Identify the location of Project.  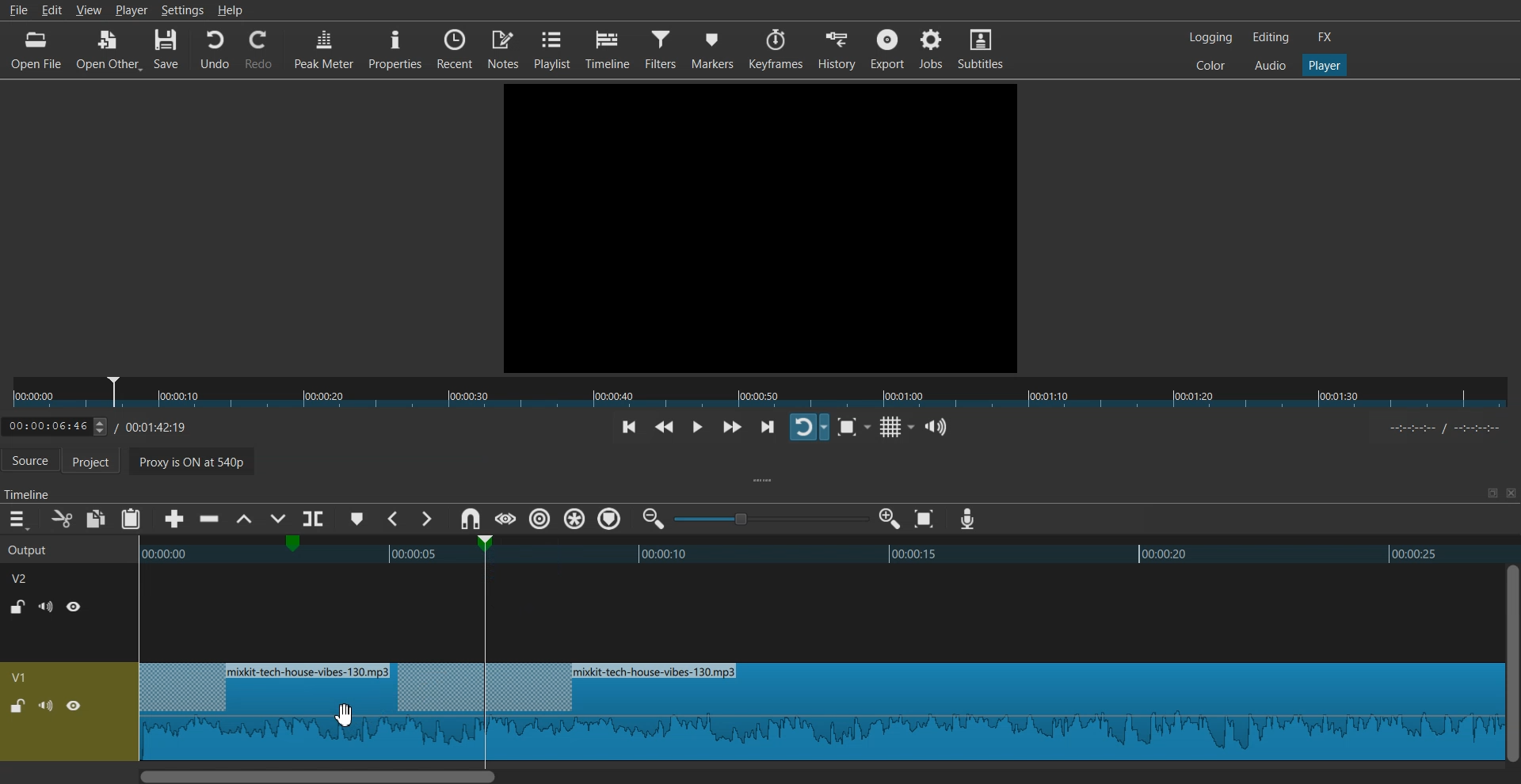
(99, 462).